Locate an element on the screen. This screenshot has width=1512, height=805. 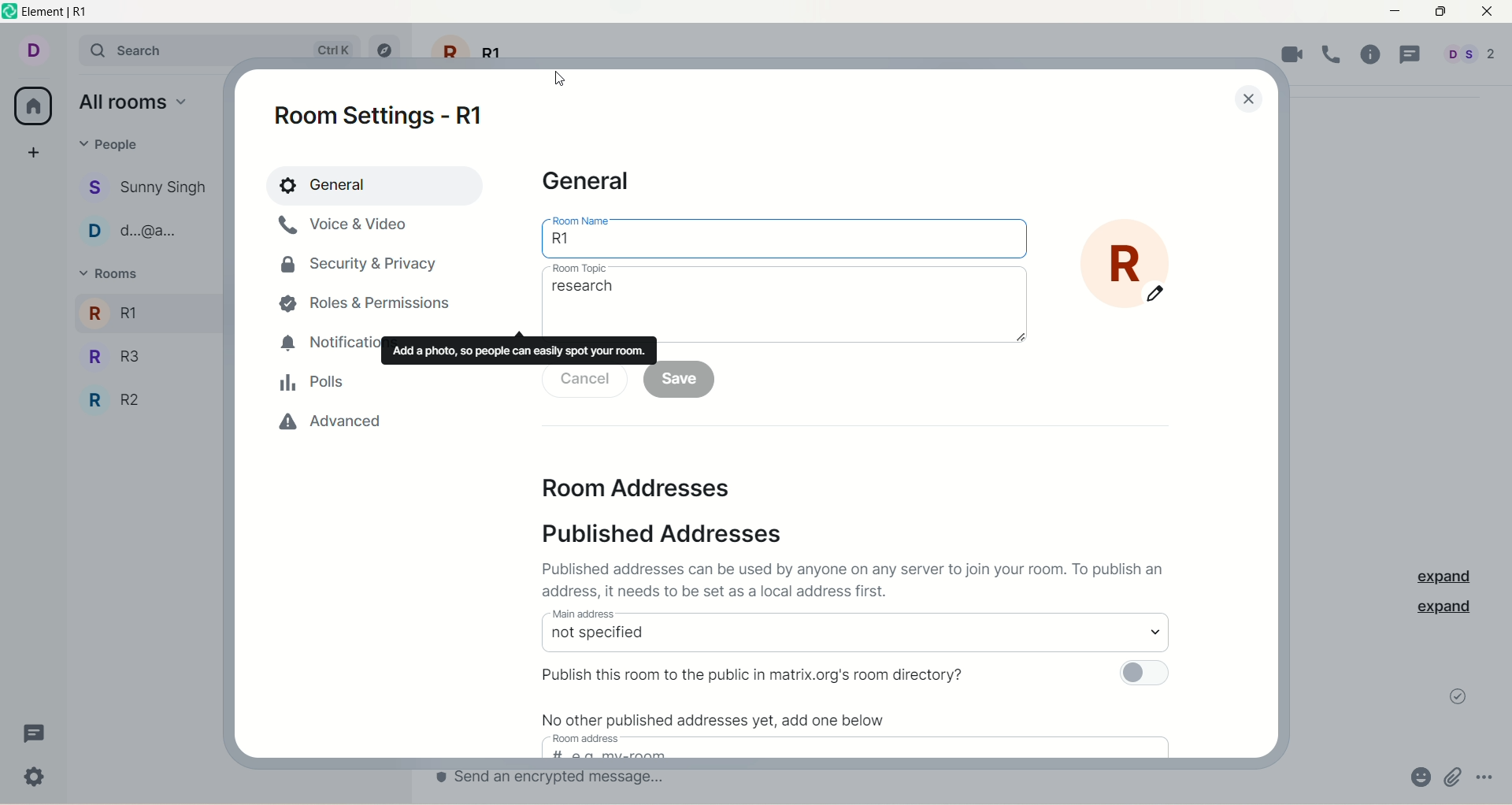
roles and permissions is located at coordinates (362, 310).